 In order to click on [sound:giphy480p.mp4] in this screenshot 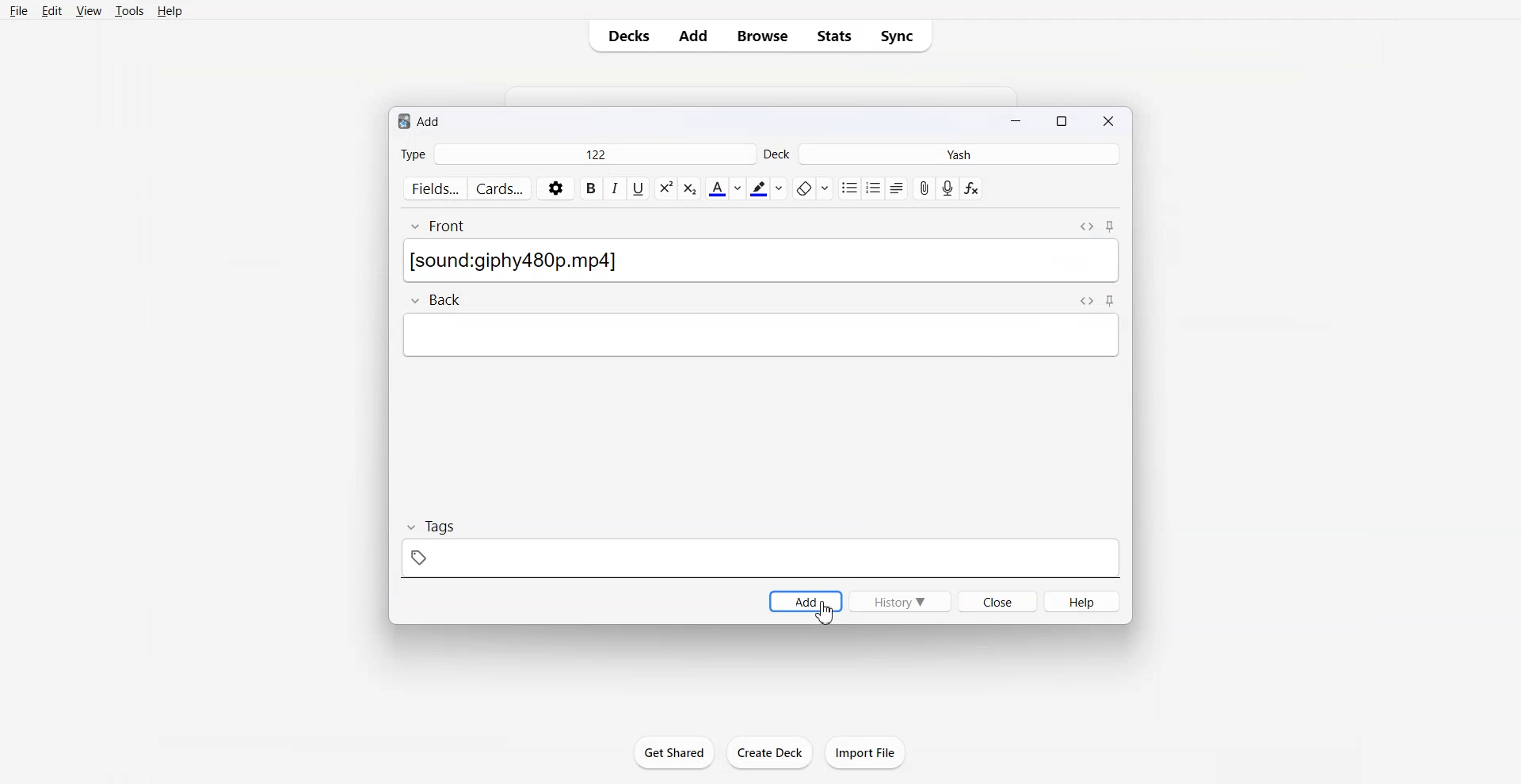, I will do `click(760, 261)`.